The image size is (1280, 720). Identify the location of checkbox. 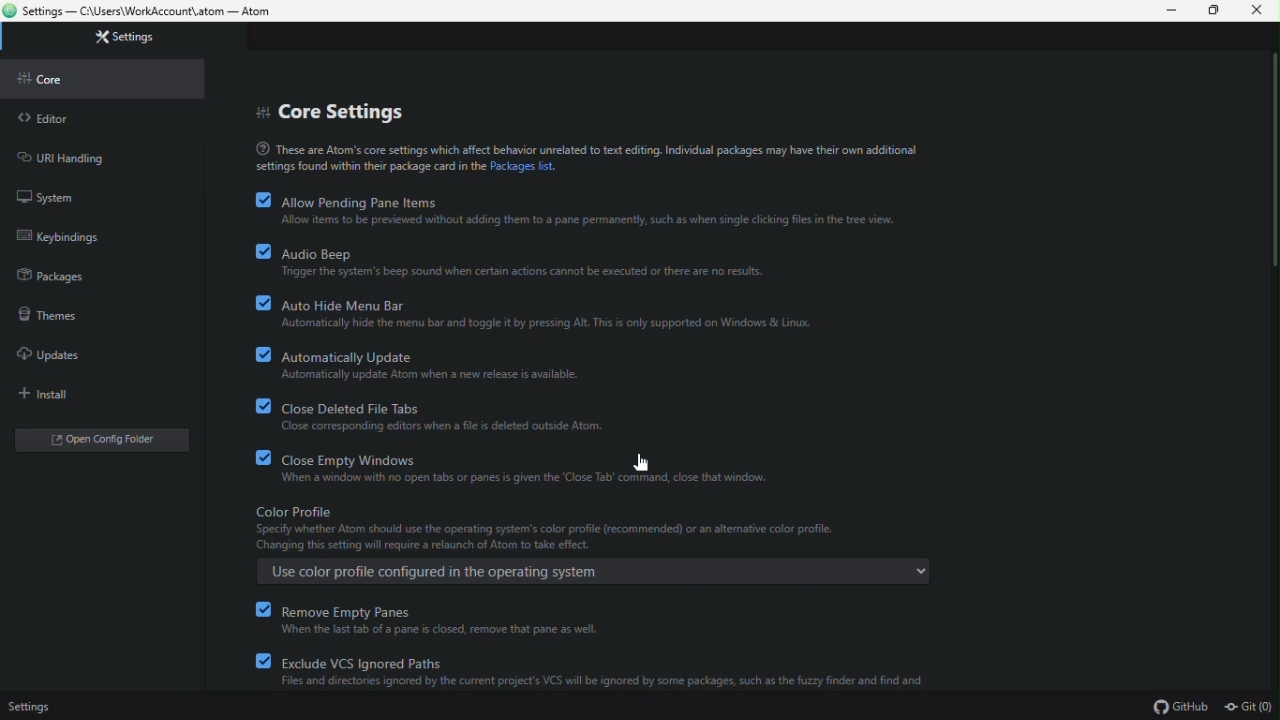
(261, 608).